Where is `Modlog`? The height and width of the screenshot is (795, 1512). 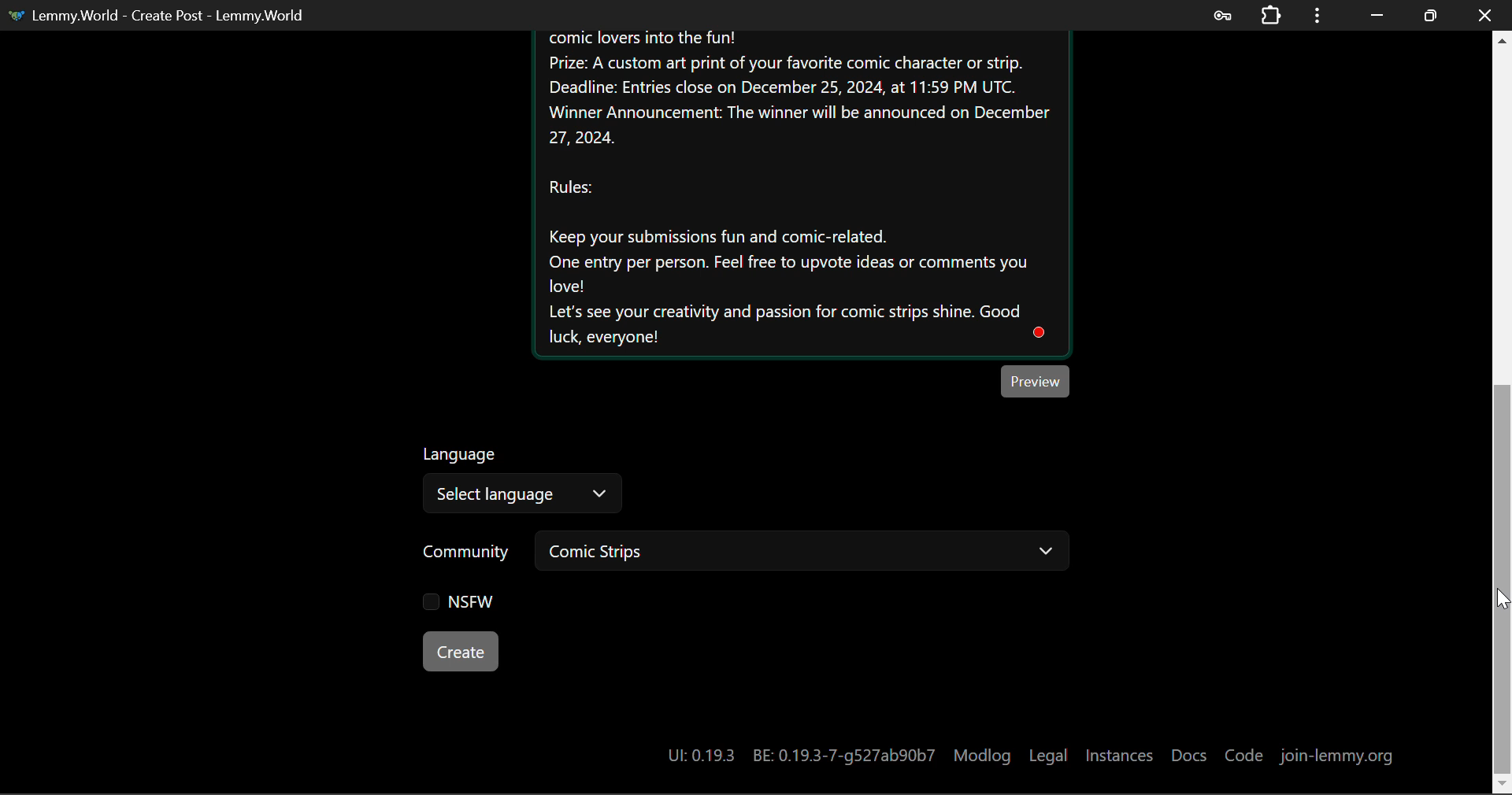
Modlog is located at coordinates (982, 756).